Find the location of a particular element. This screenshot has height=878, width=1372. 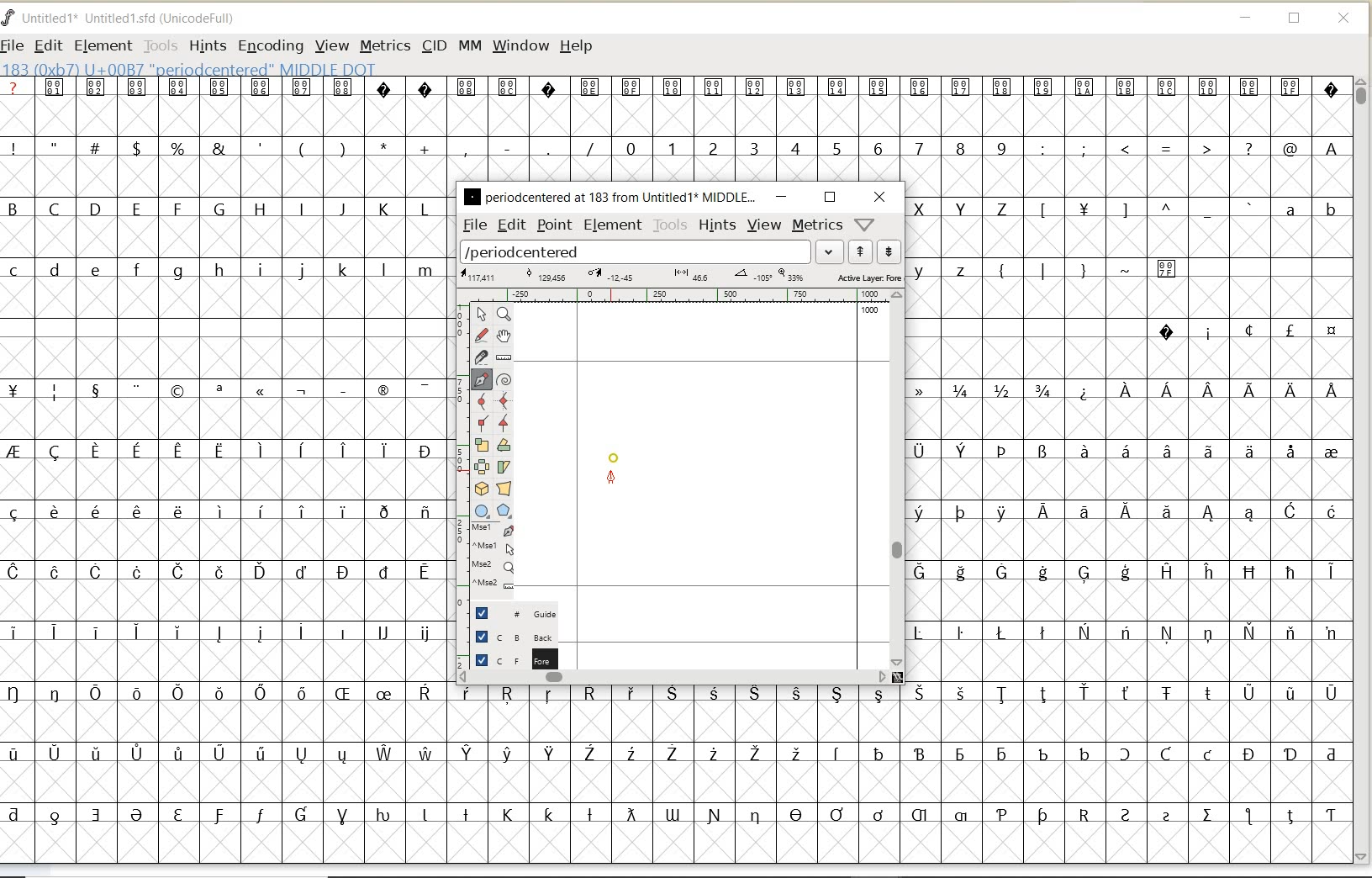

FILE is located at coordinates (14, 45).